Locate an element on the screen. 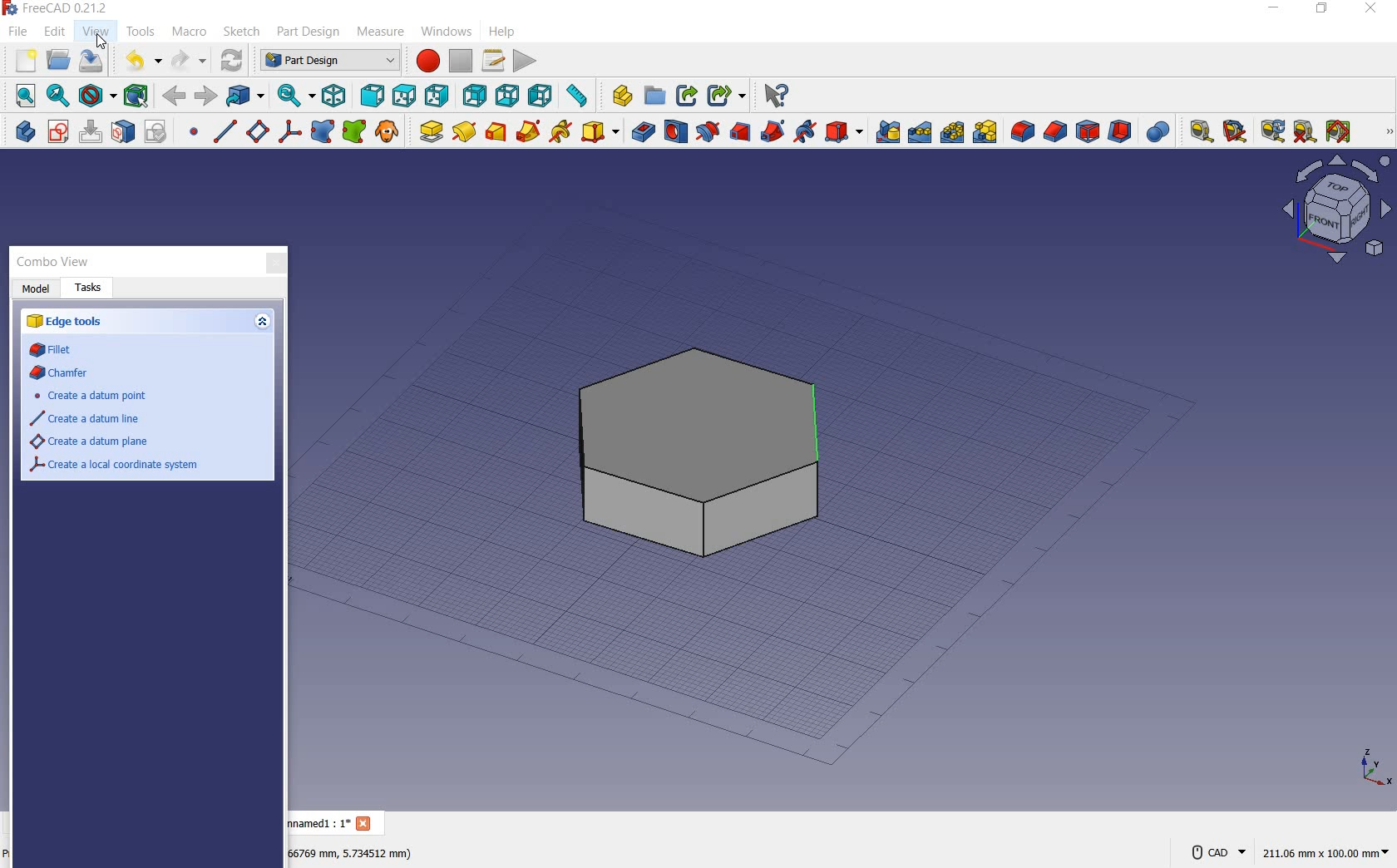 Image resolution: width=1397 pixels, height=868 pixels. model is located at coordinates (37, 289).